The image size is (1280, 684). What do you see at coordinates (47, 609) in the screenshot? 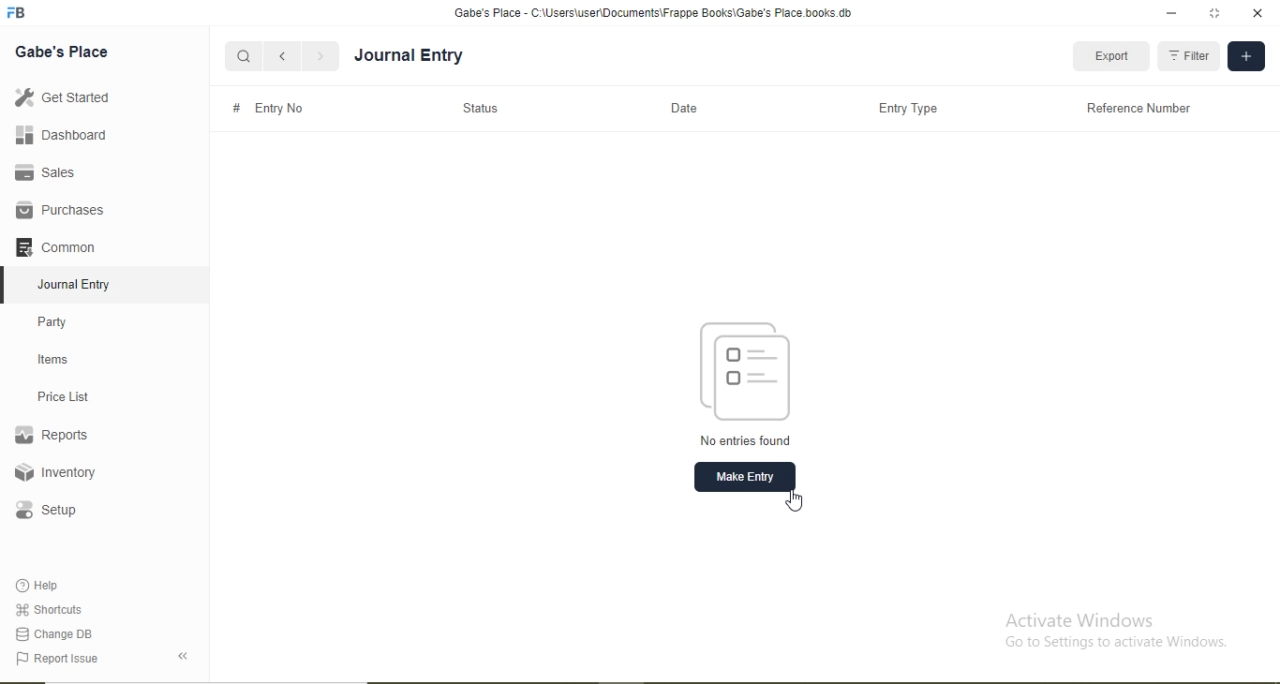
I see `Shortcuts` at bounding box center [47, 609].